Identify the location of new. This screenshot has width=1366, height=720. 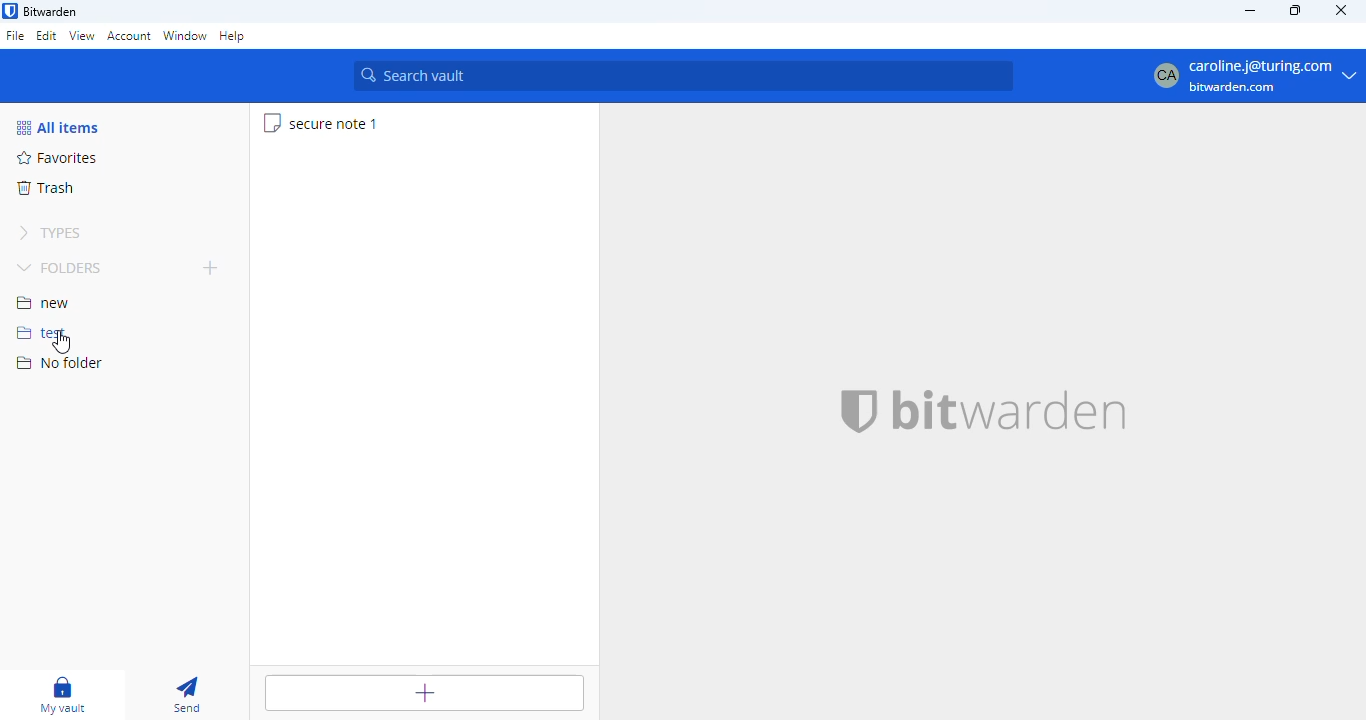
(43, 302).